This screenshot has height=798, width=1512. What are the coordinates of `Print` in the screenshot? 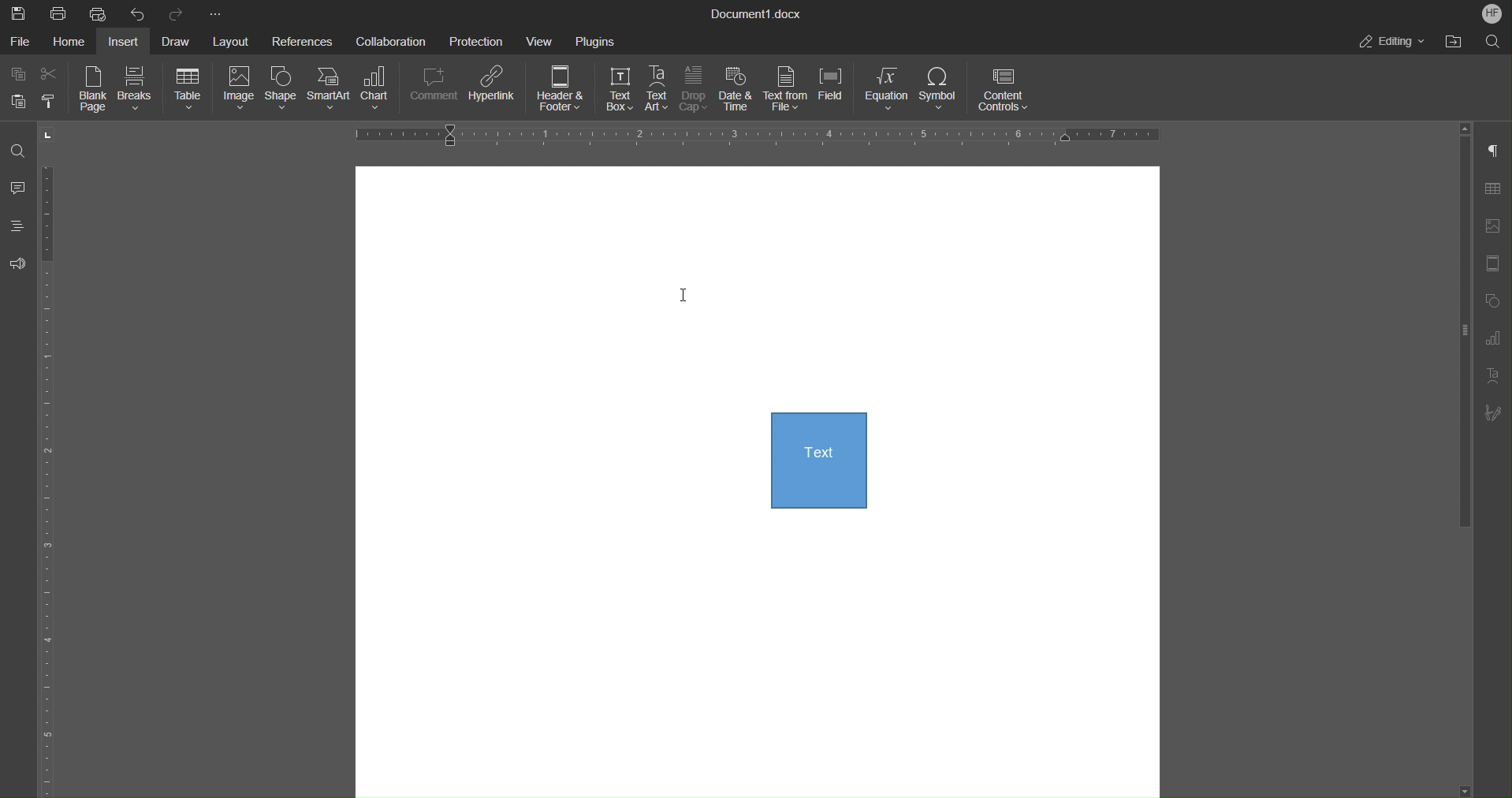 It's located at (59, 13).